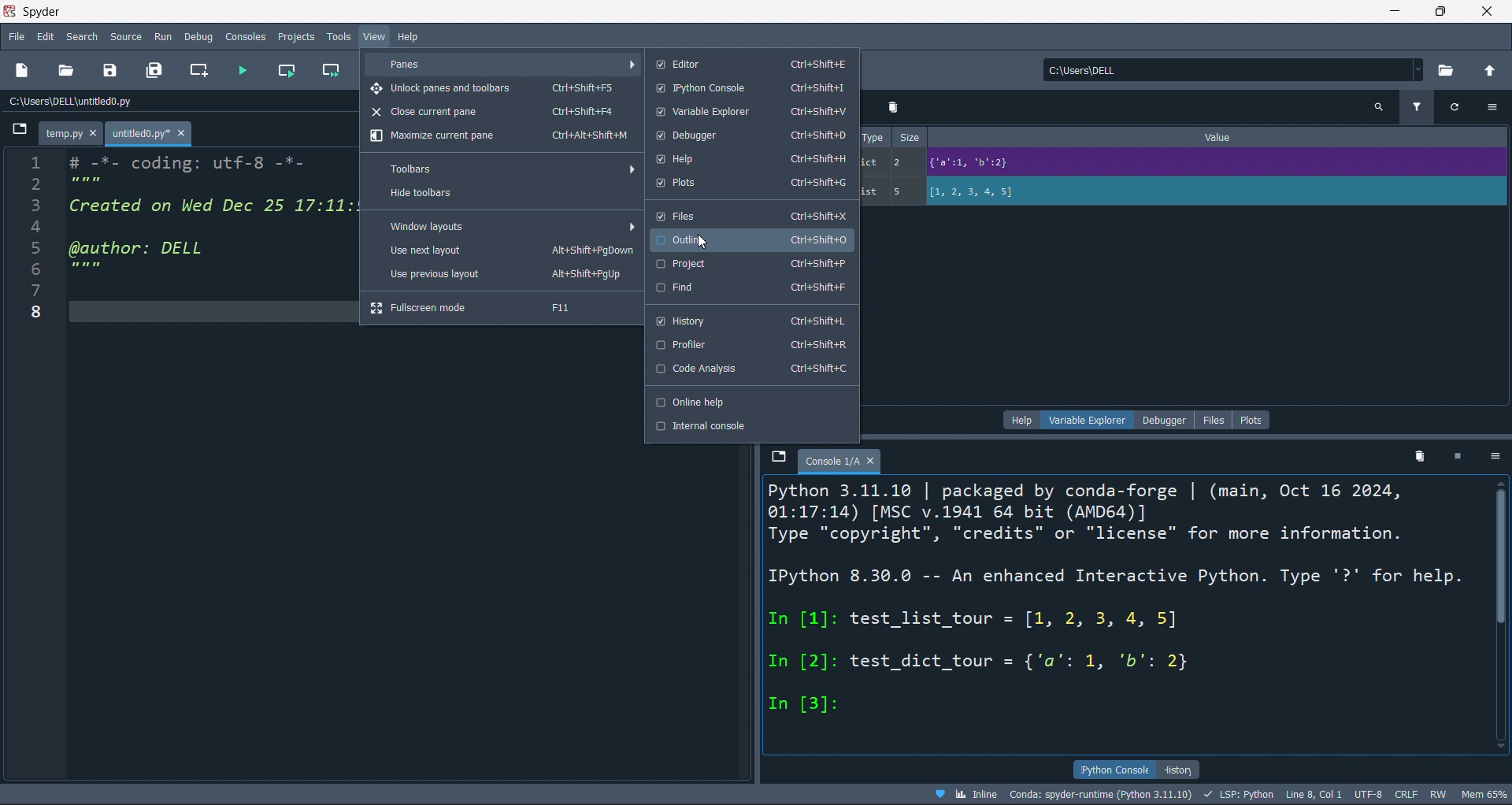  I want to click on editor, so click(751, 64).